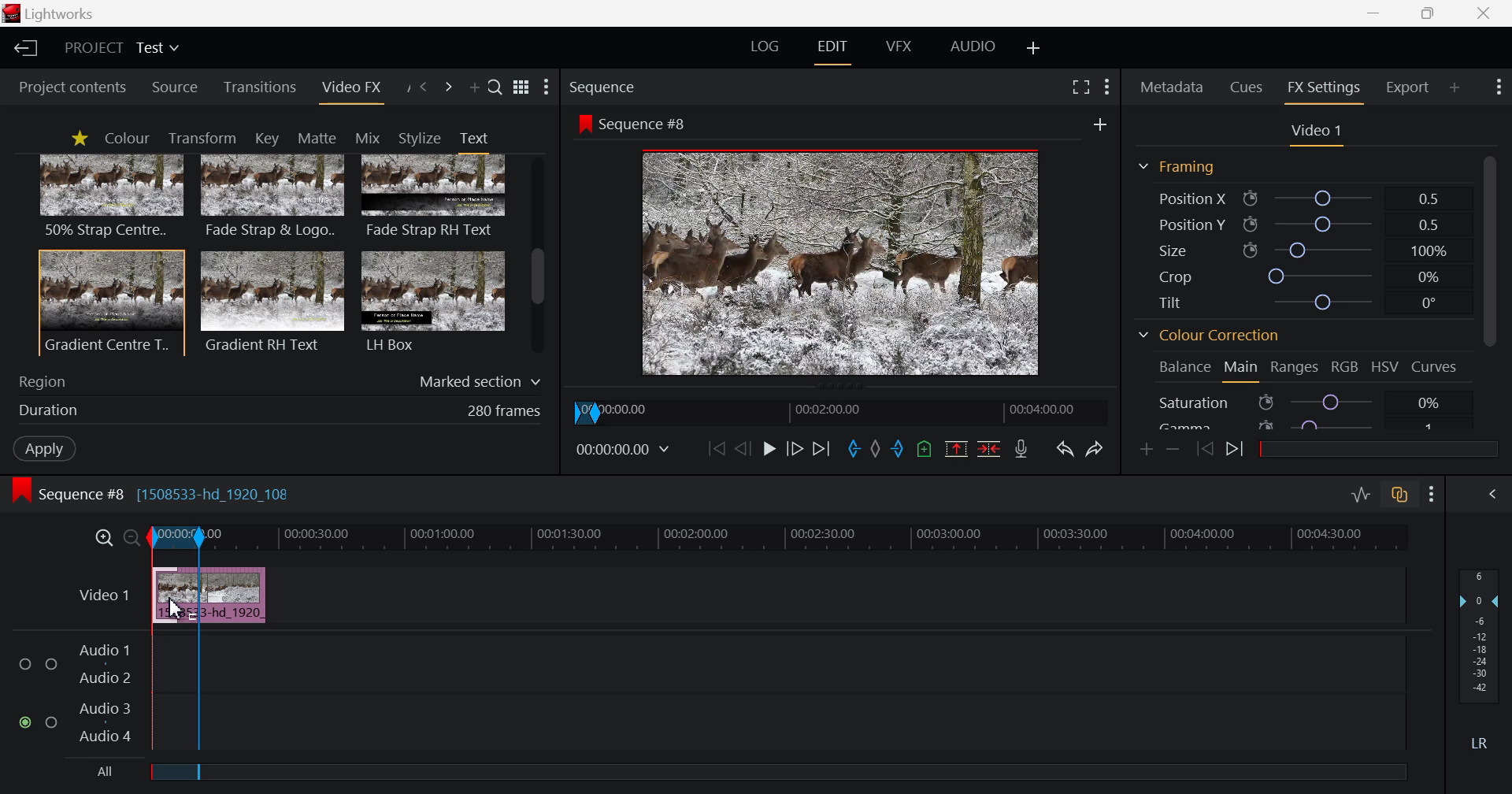 Image resolution: width=1512 pixels, height=794 pixels. What do you see at coordinates (57, 14) in the screenshot?
I see `Lightworks` at bounding box center [57, 14].